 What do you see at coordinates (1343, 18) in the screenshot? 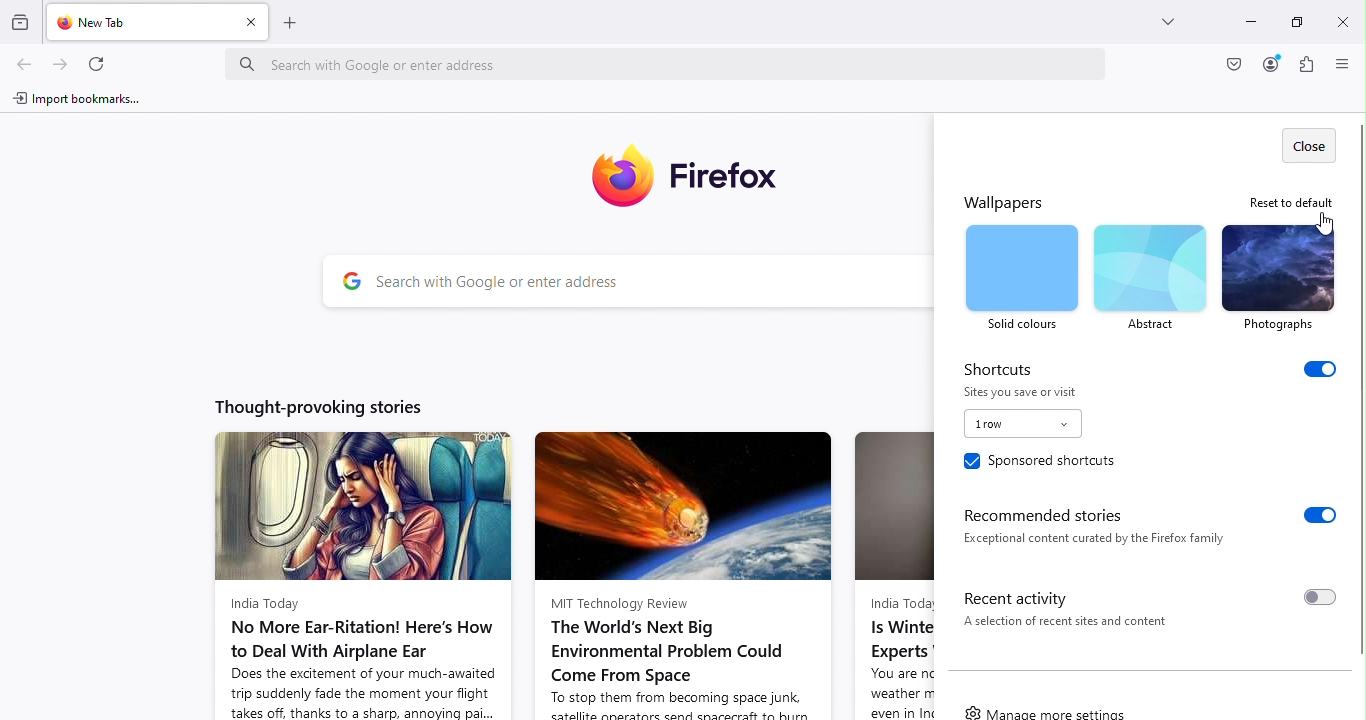
I see `Close` at bounding box center [1343, 18].